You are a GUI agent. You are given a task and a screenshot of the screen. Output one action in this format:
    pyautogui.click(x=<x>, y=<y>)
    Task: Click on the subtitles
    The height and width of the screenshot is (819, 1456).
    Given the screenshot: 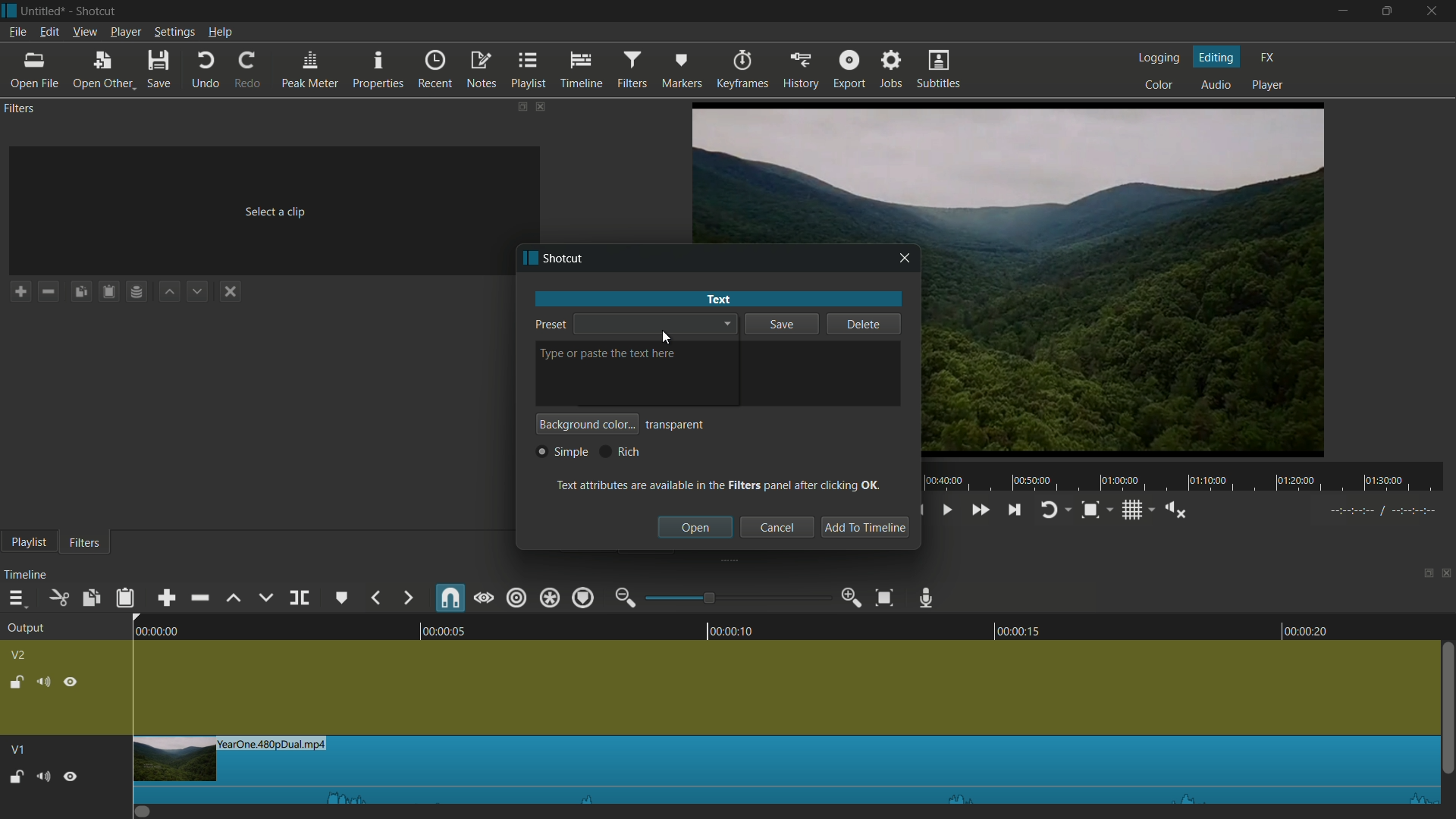 What is the action you would take?
    pyautogui.click(x=940, y=71)
    